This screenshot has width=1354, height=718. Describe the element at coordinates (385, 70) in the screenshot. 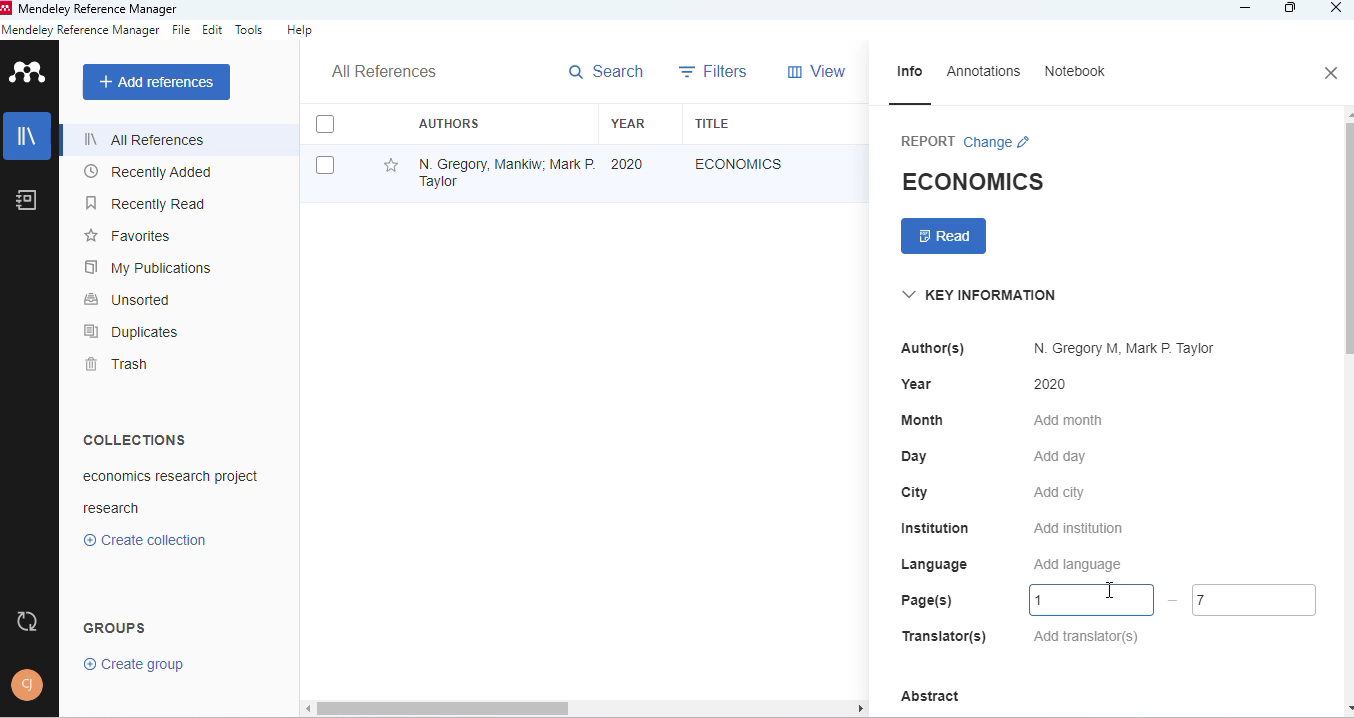

I see `all references` at that location.